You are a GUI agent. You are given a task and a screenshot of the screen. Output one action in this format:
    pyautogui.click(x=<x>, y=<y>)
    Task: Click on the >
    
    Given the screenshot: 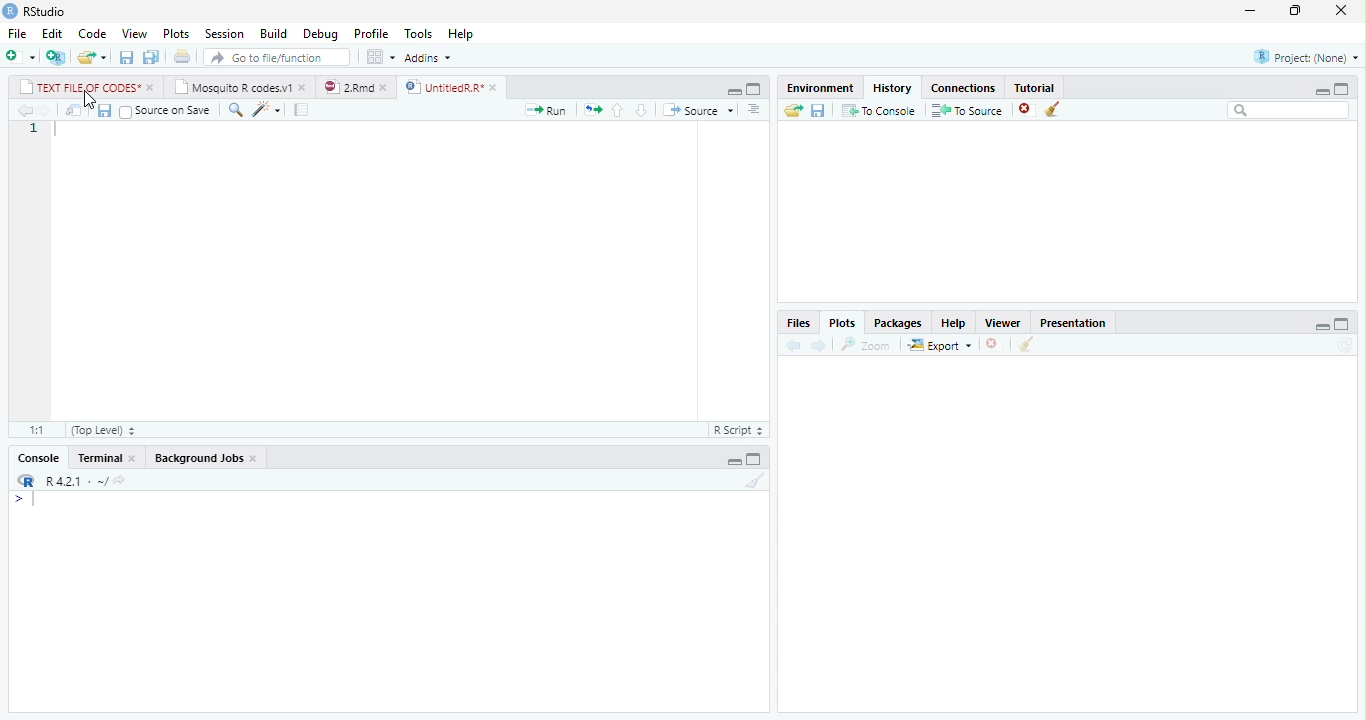 What is the action you would take?
    pyautogui.click(x=26, y=499)
    